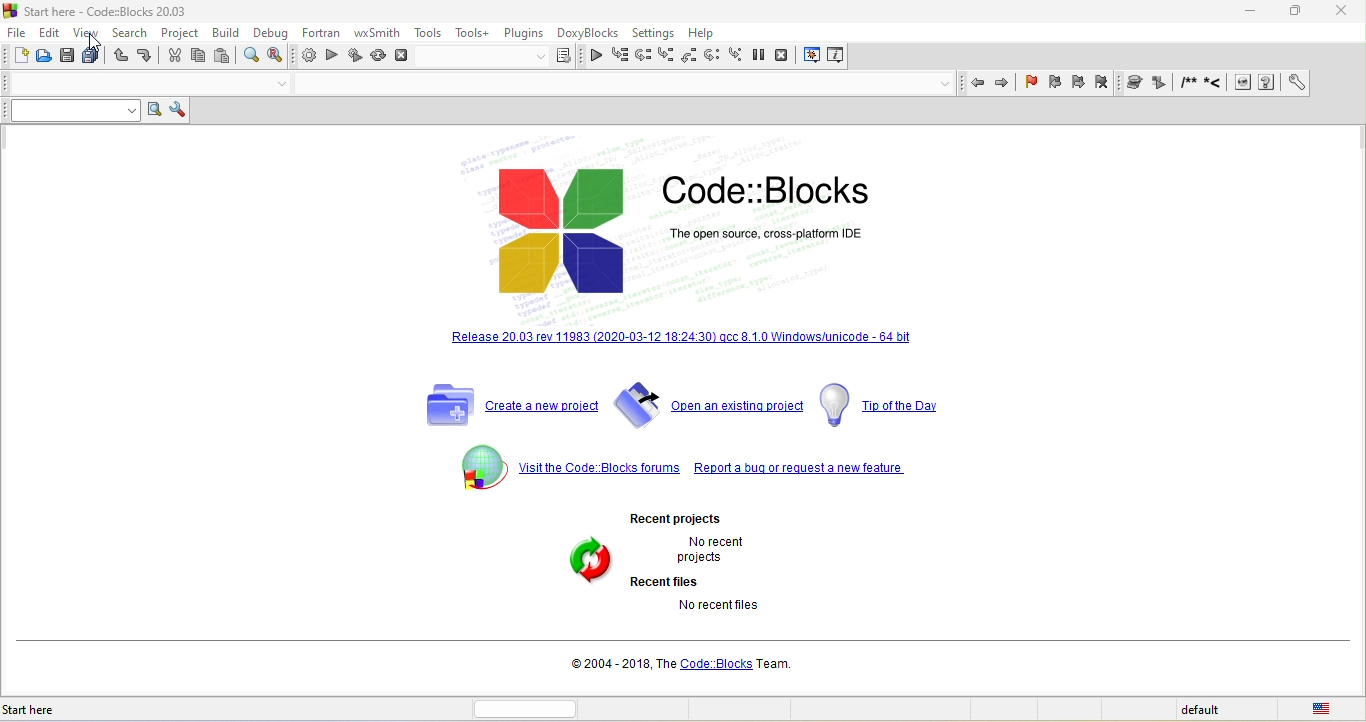 This screenshot has width=1366, height=722. What do you see at coordinates (267, 32) in the screenshot?
I see `debug` at bounding box center [267, 32].